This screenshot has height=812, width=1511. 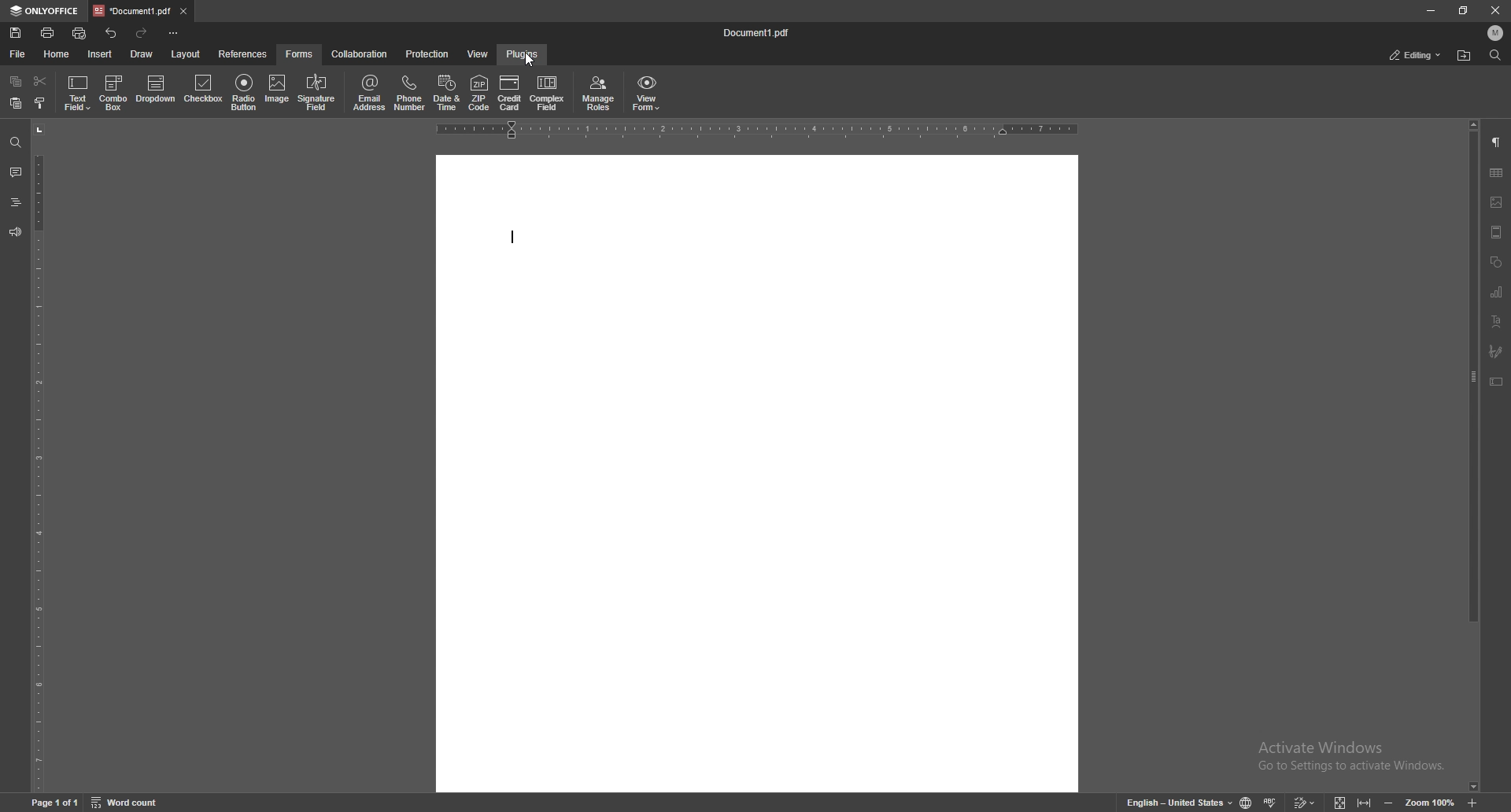 I want to click on quick print, so click(x=79, y=33).